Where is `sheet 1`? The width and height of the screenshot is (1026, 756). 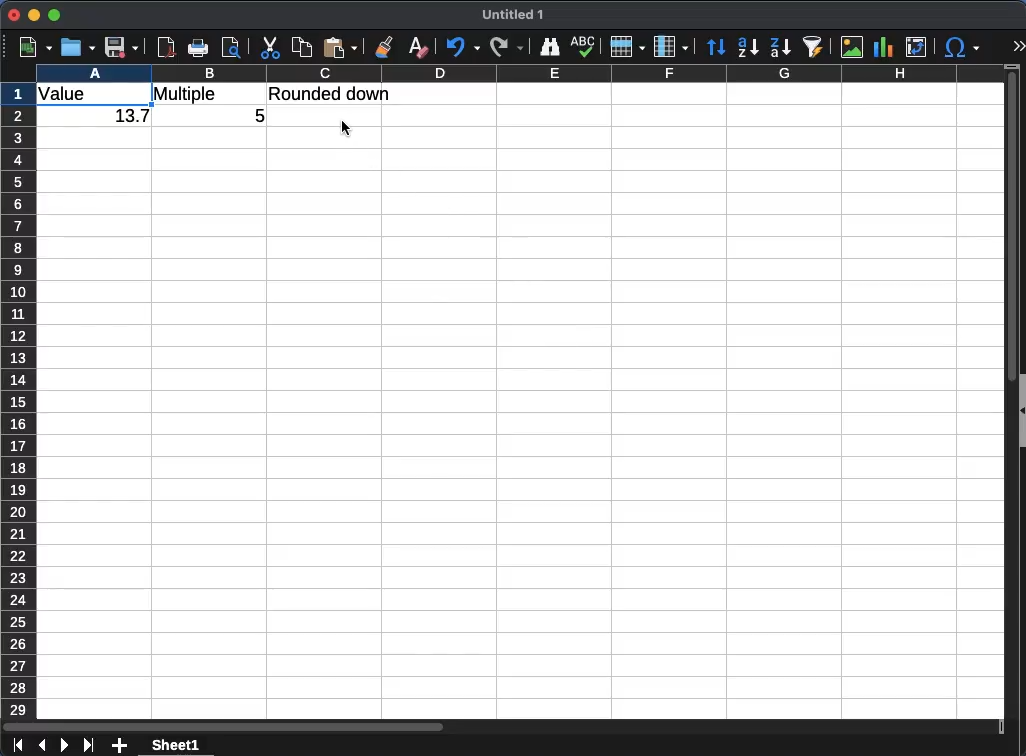
sheet 1 is located at coordinates (174, 746).